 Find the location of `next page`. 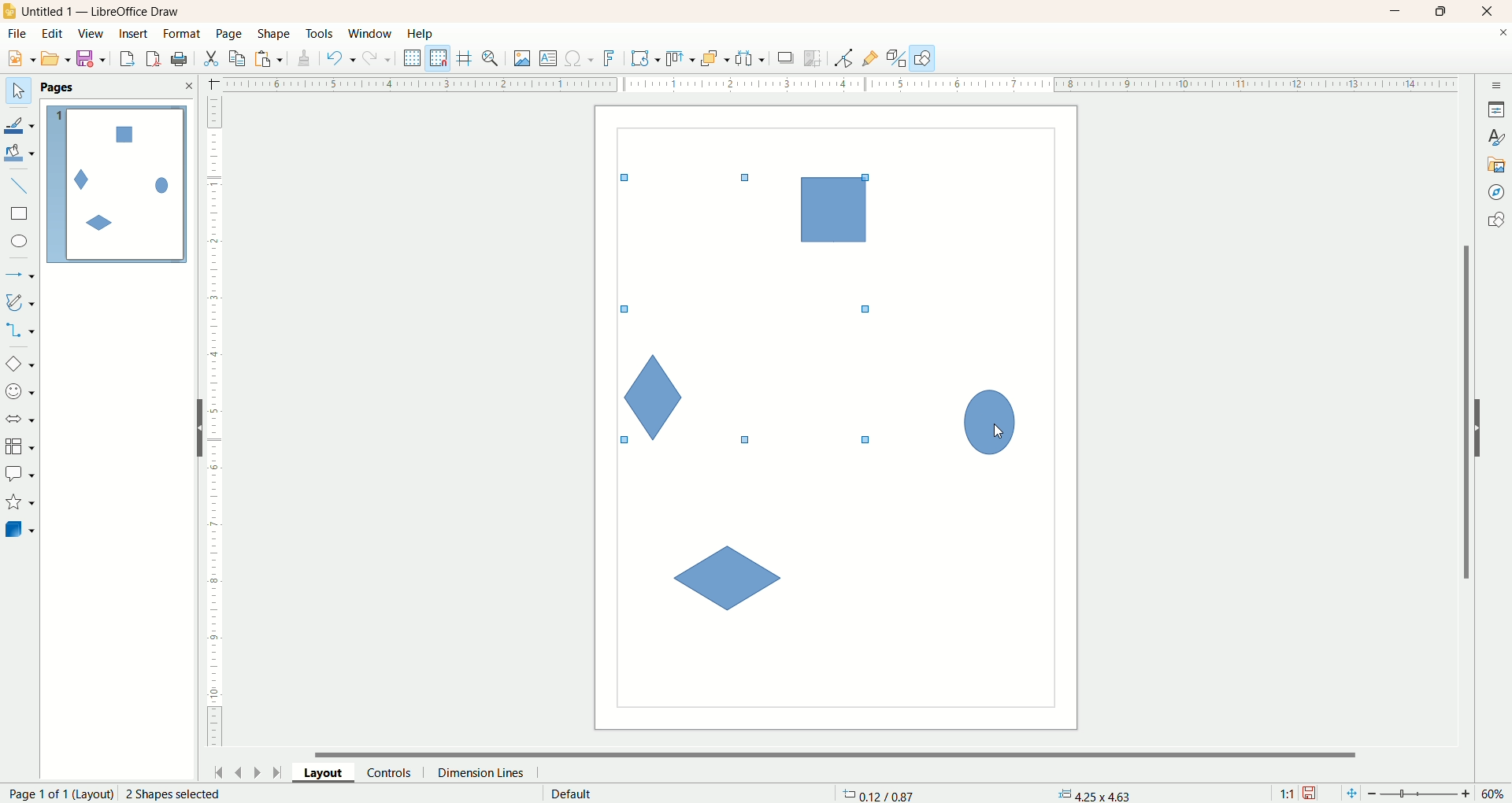

next page is located at coordinates (258, 772).